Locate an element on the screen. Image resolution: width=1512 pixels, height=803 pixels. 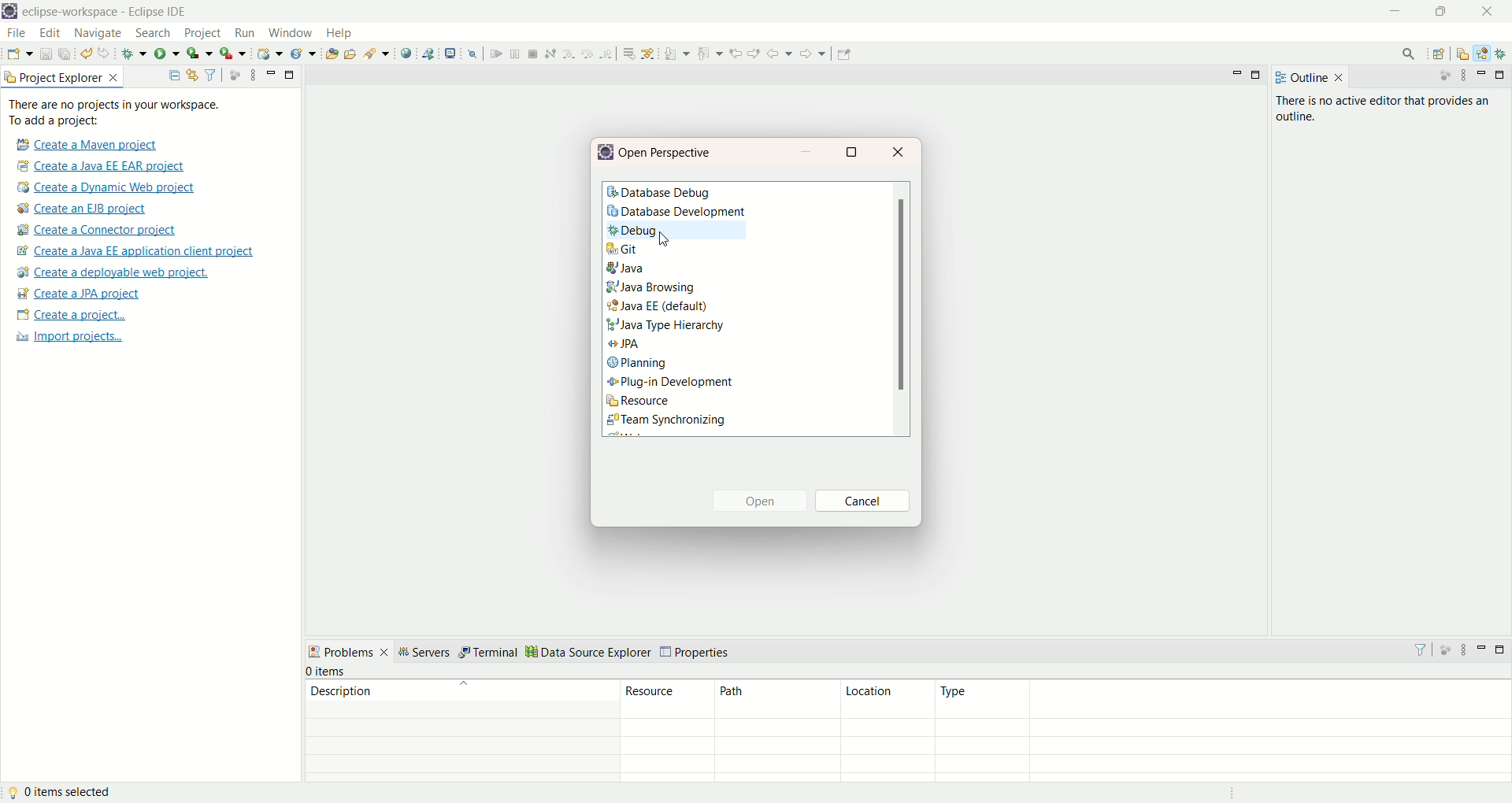
disconnect is located at coordinates (550, 53).